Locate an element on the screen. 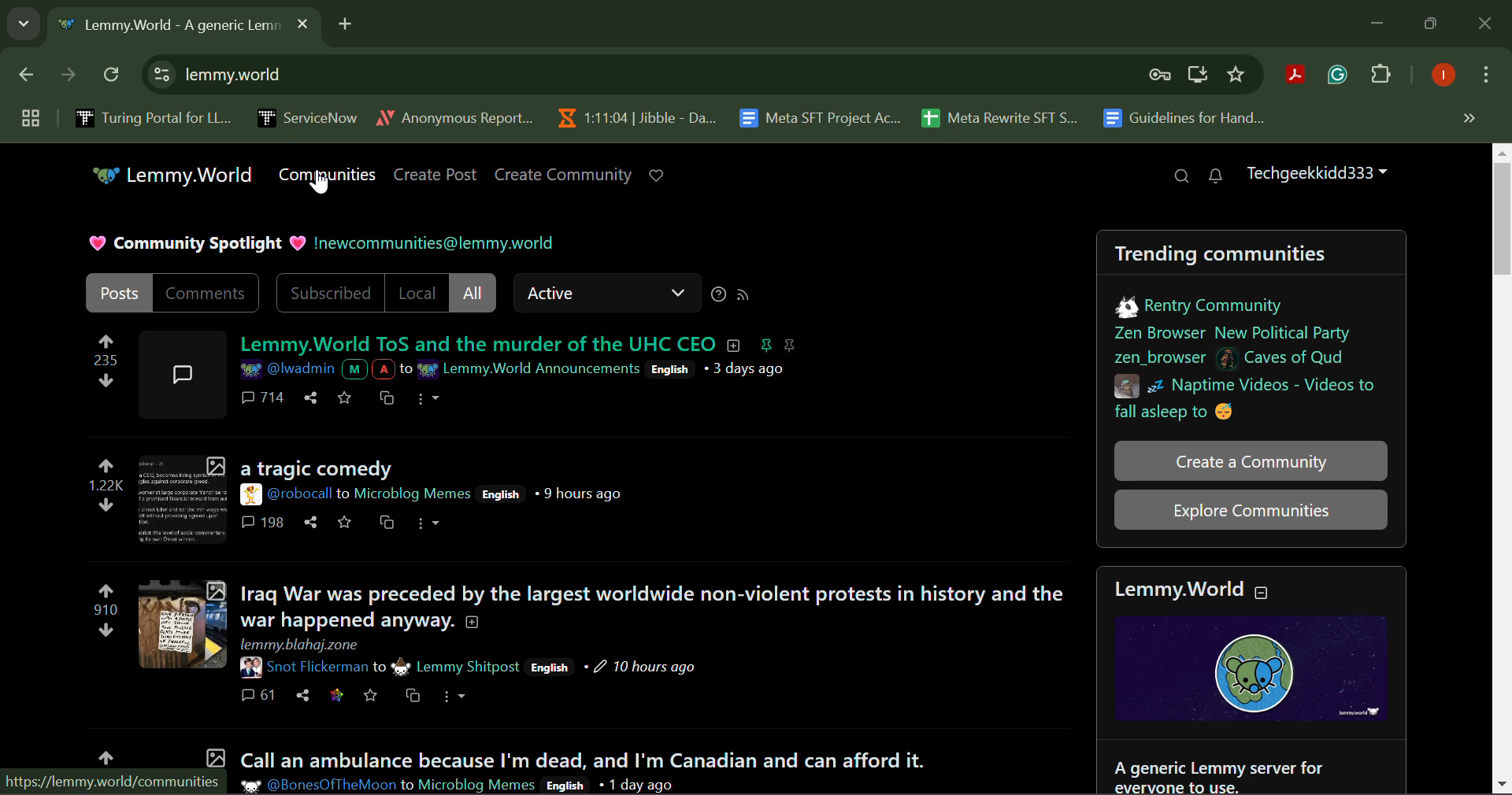  @robocall is located at coordinates (287, 496).